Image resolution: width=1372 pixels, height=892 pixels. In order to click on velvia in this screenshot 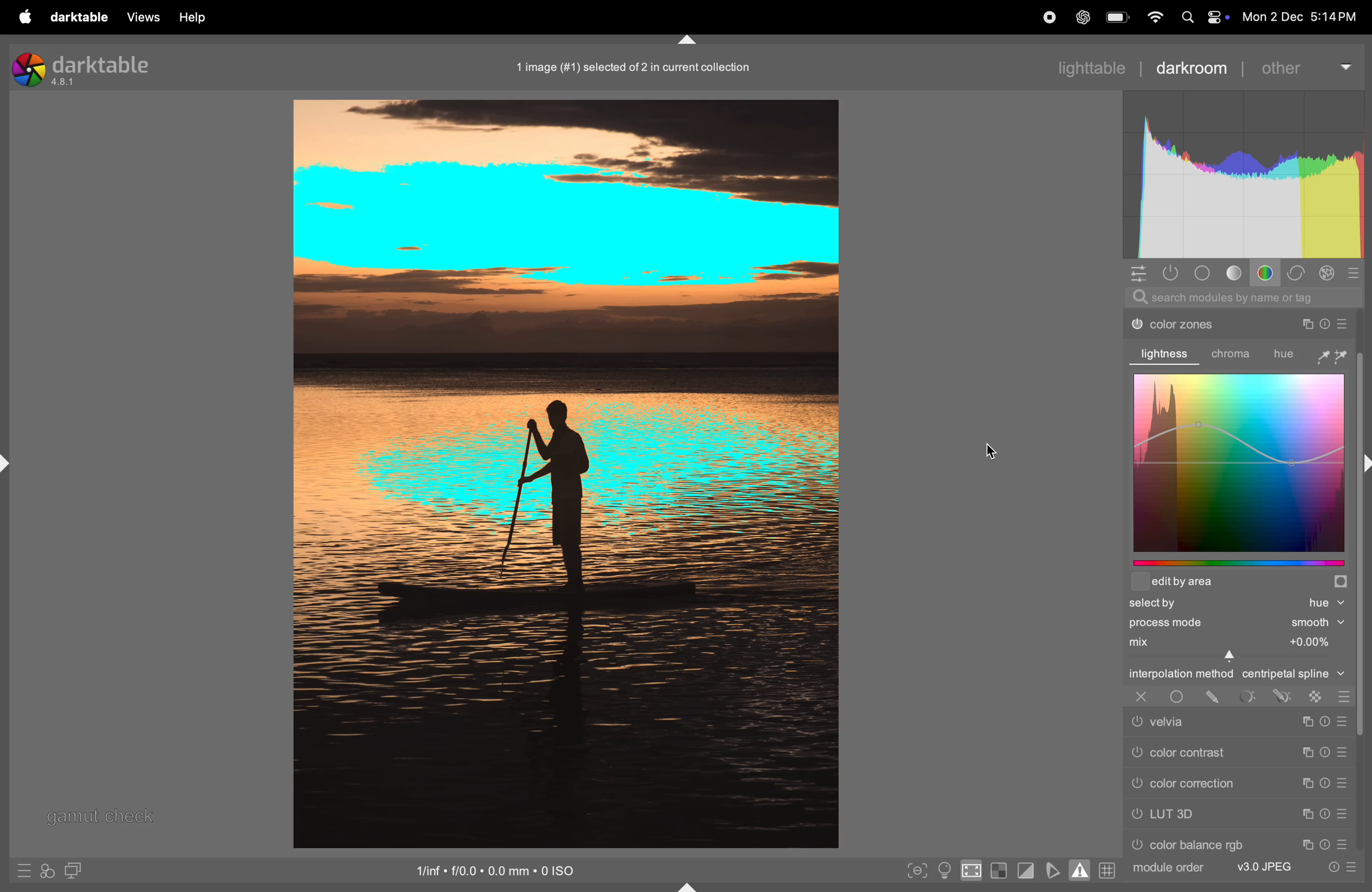, I will do `click(1198, 721)`.